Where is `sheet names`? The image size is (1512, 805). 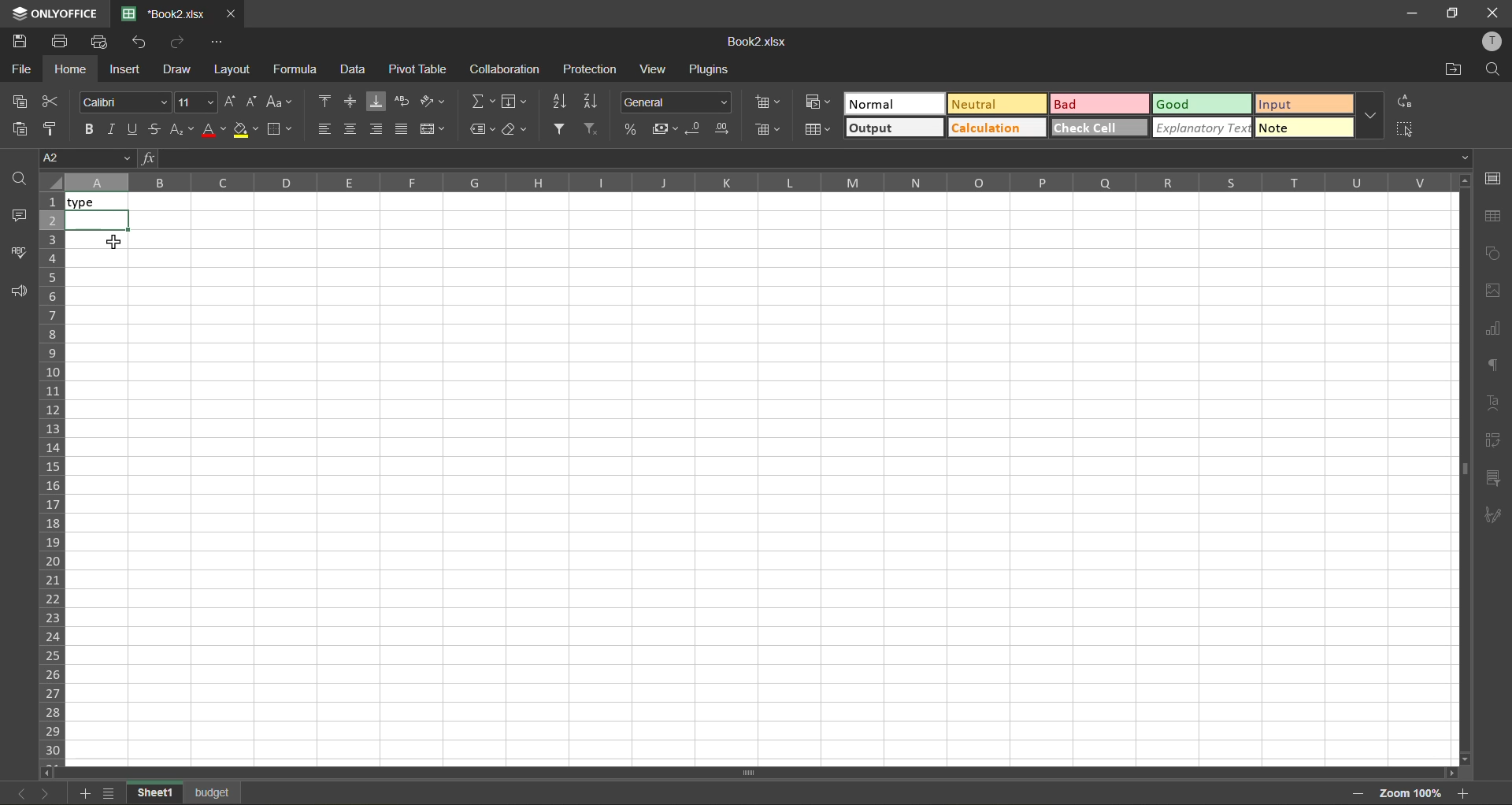
sheet names is located at coordinates (153, 792).